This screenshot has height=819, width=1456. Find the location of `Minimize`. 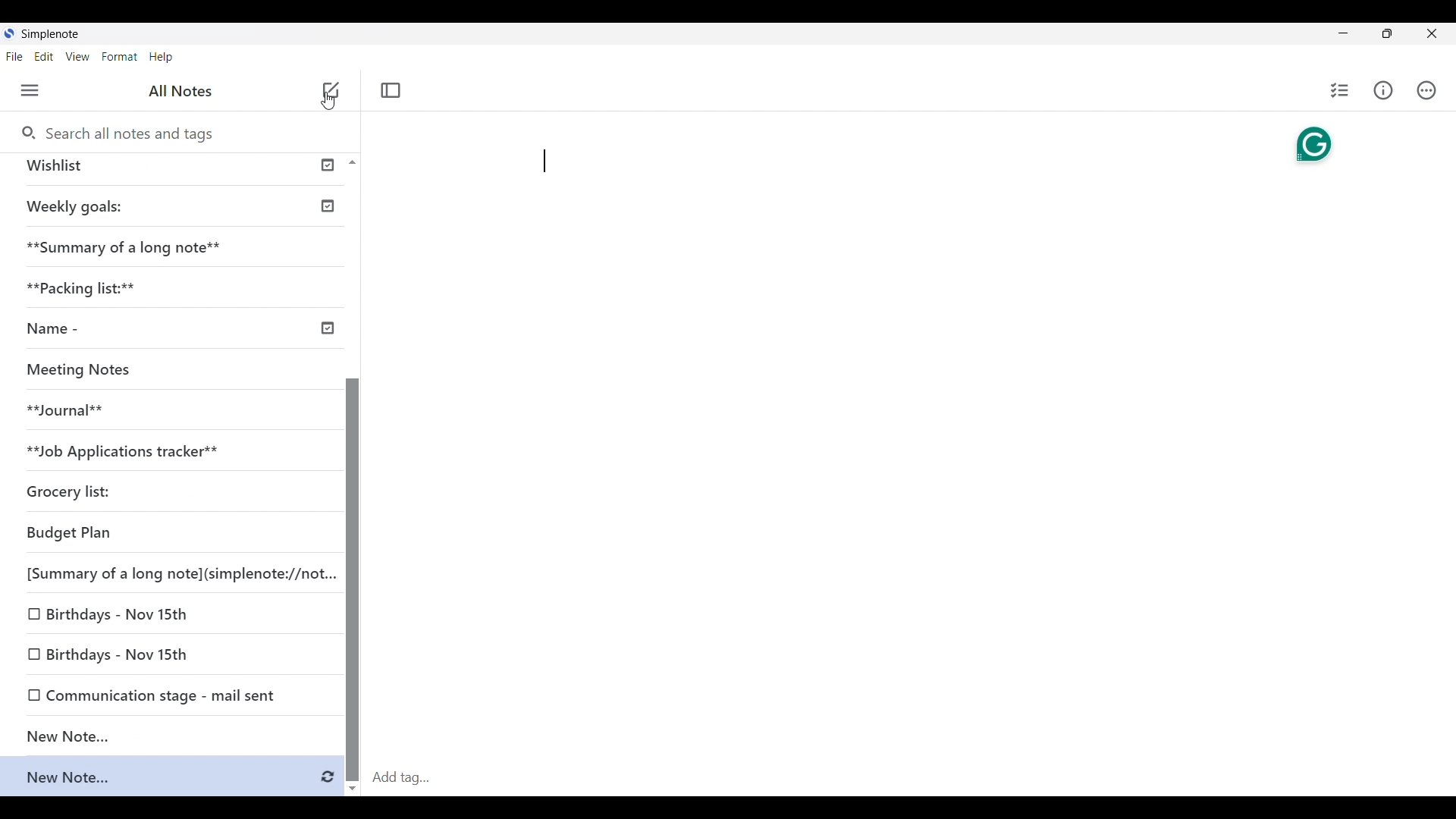

Minimize is located at coordinates (1343, 33).